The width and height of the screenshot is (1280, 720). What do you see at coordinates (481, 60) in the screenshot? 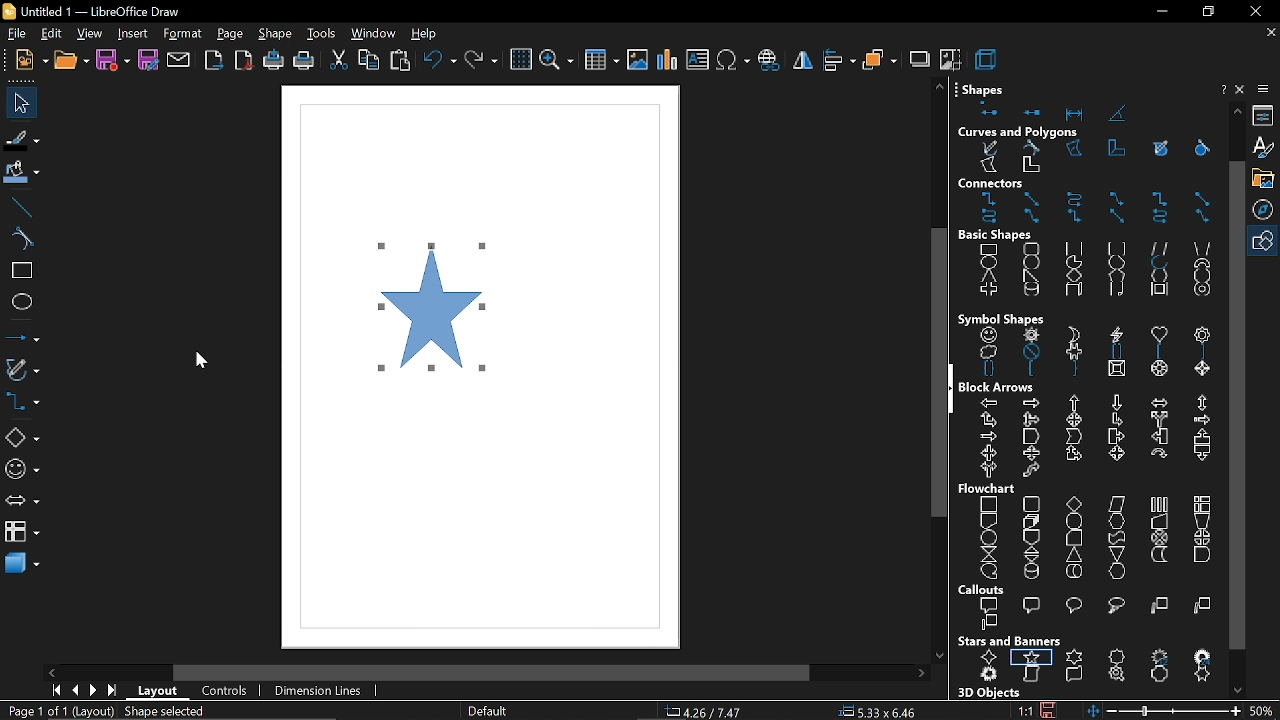
I see `redo` at bounding box center [481, 60].